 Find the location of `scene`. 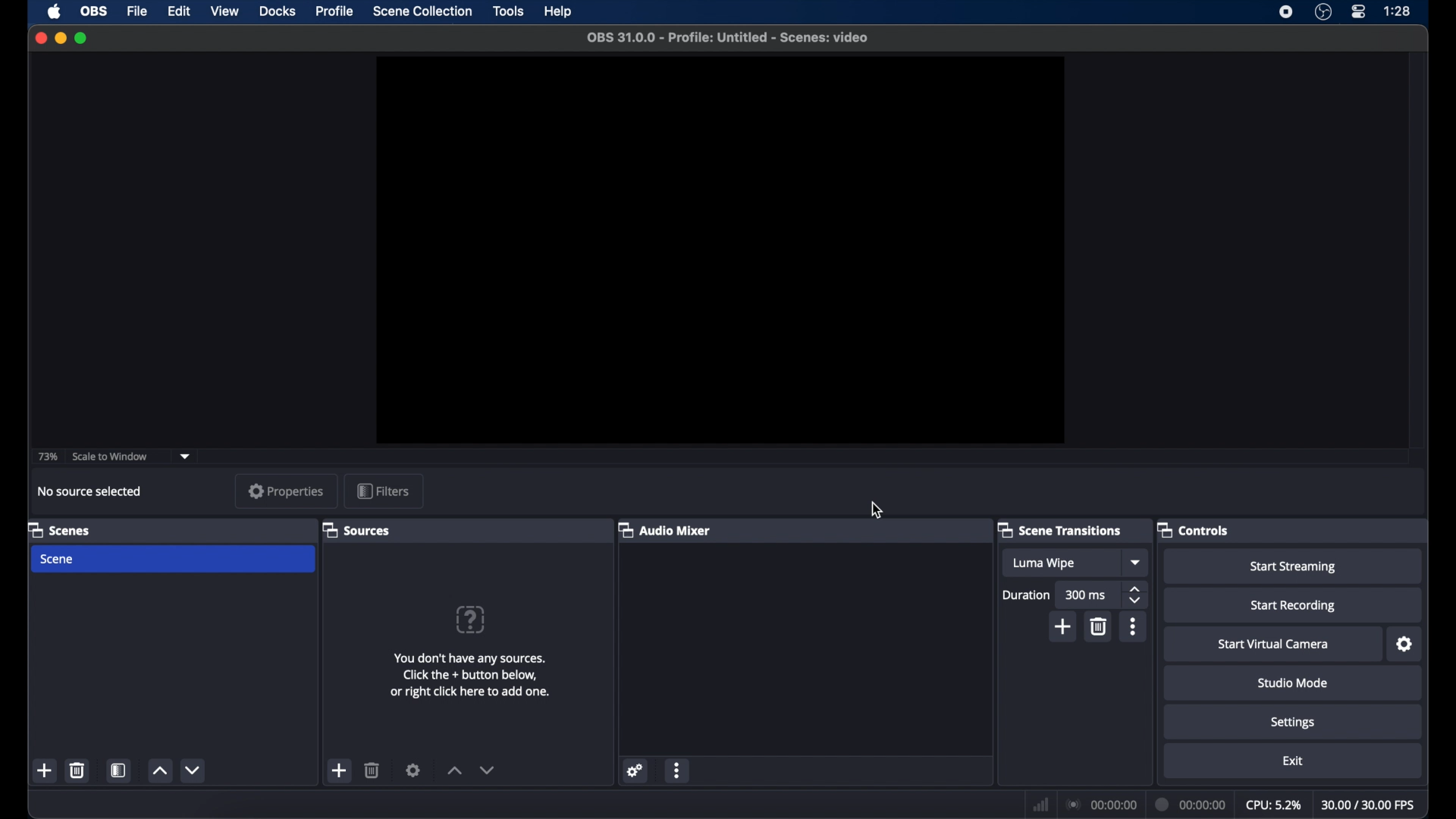

scene is located at coordinates (173, 560).